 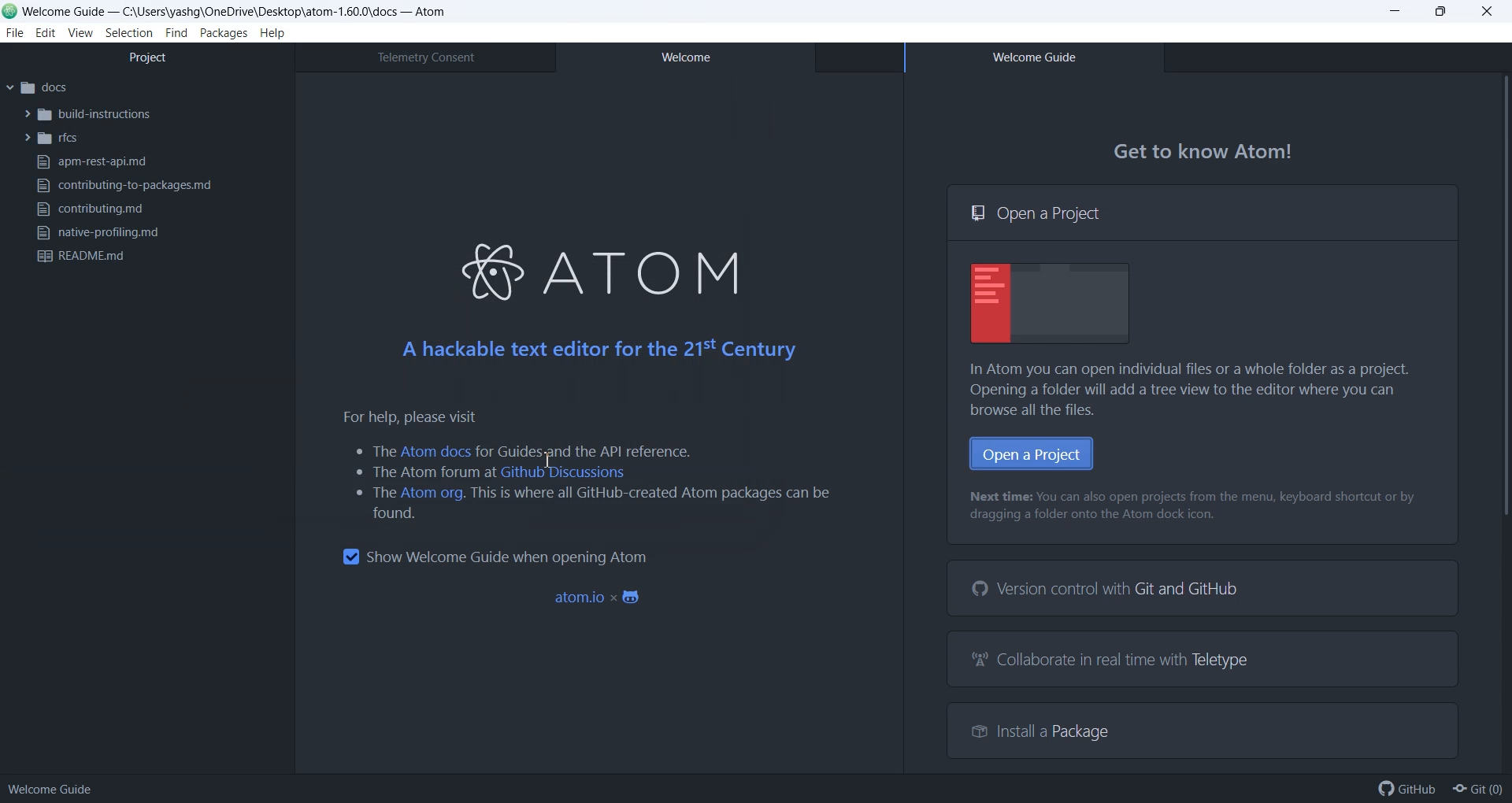 I want to click on Git (0), so click(x=1477, y=789).